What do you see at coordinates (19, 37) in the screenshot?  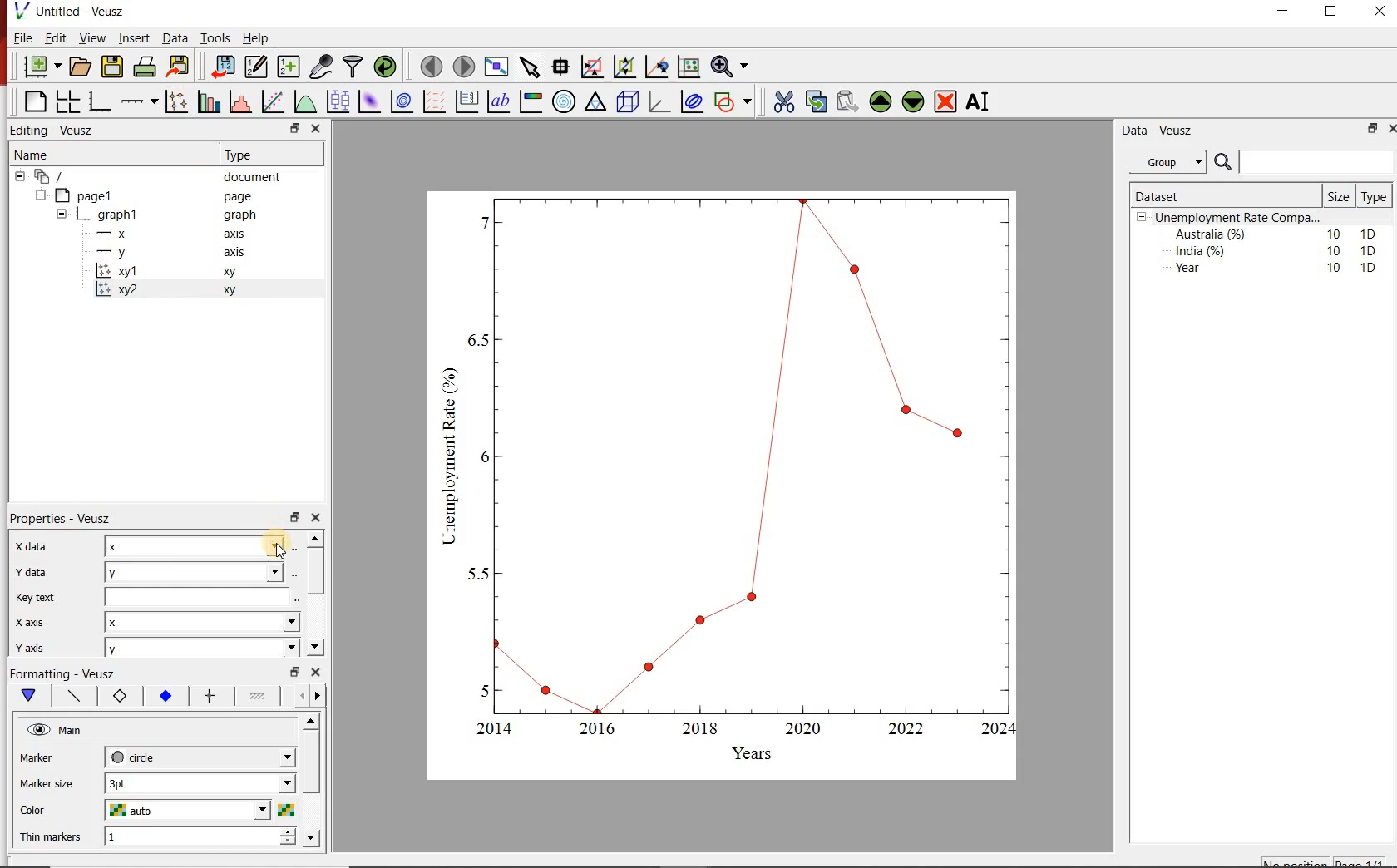 I see `| File` at bounding box center [19, 37].